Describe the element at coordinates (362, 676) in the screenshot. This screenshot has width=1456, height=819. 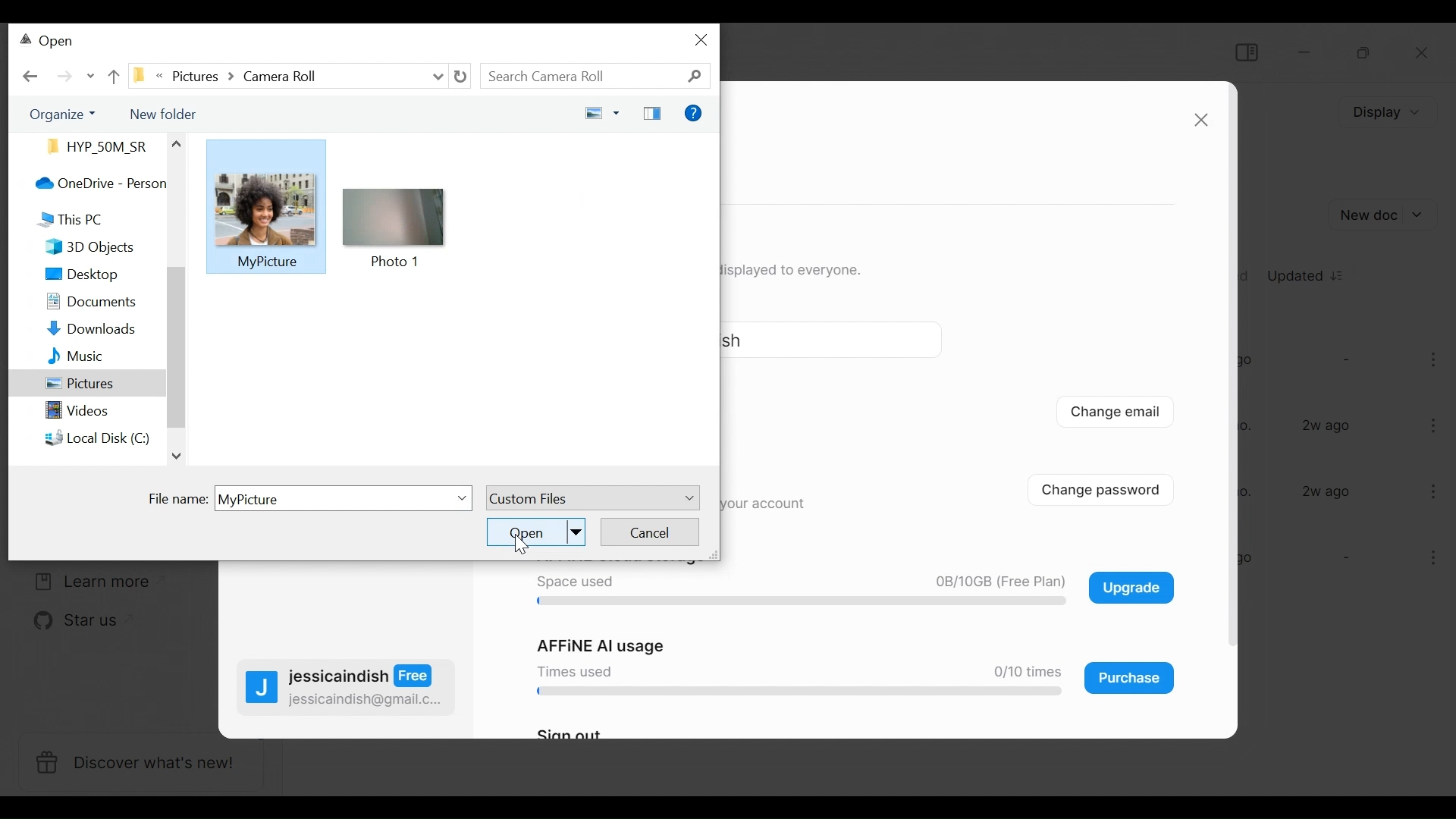
I see `jessicaindish` at that location.